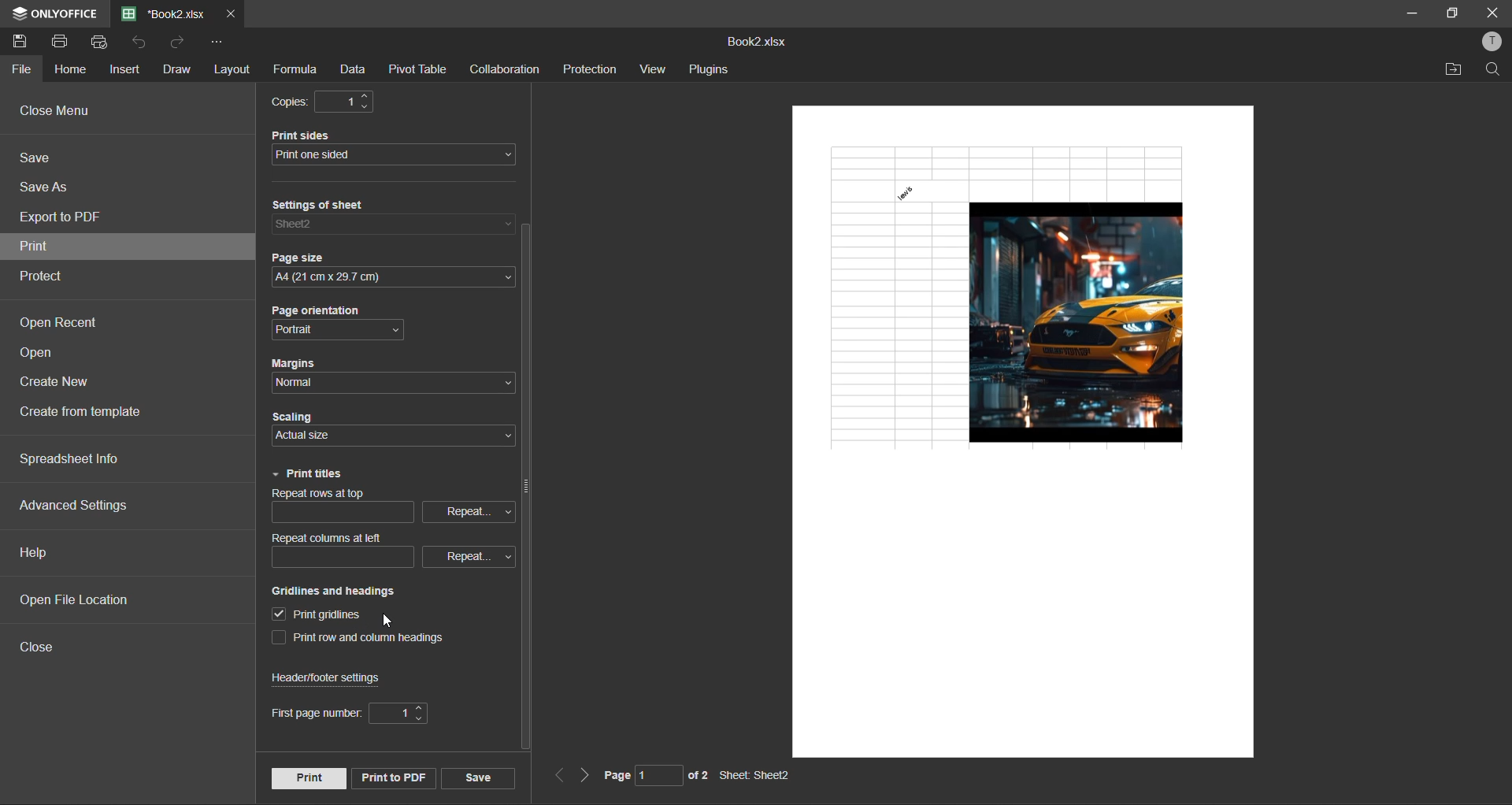 This screenshot has height=805, width=1512. What do you see at coordinates (1497, 73) in the screenshot?
I see `find` at bounding box center [1497, 73].